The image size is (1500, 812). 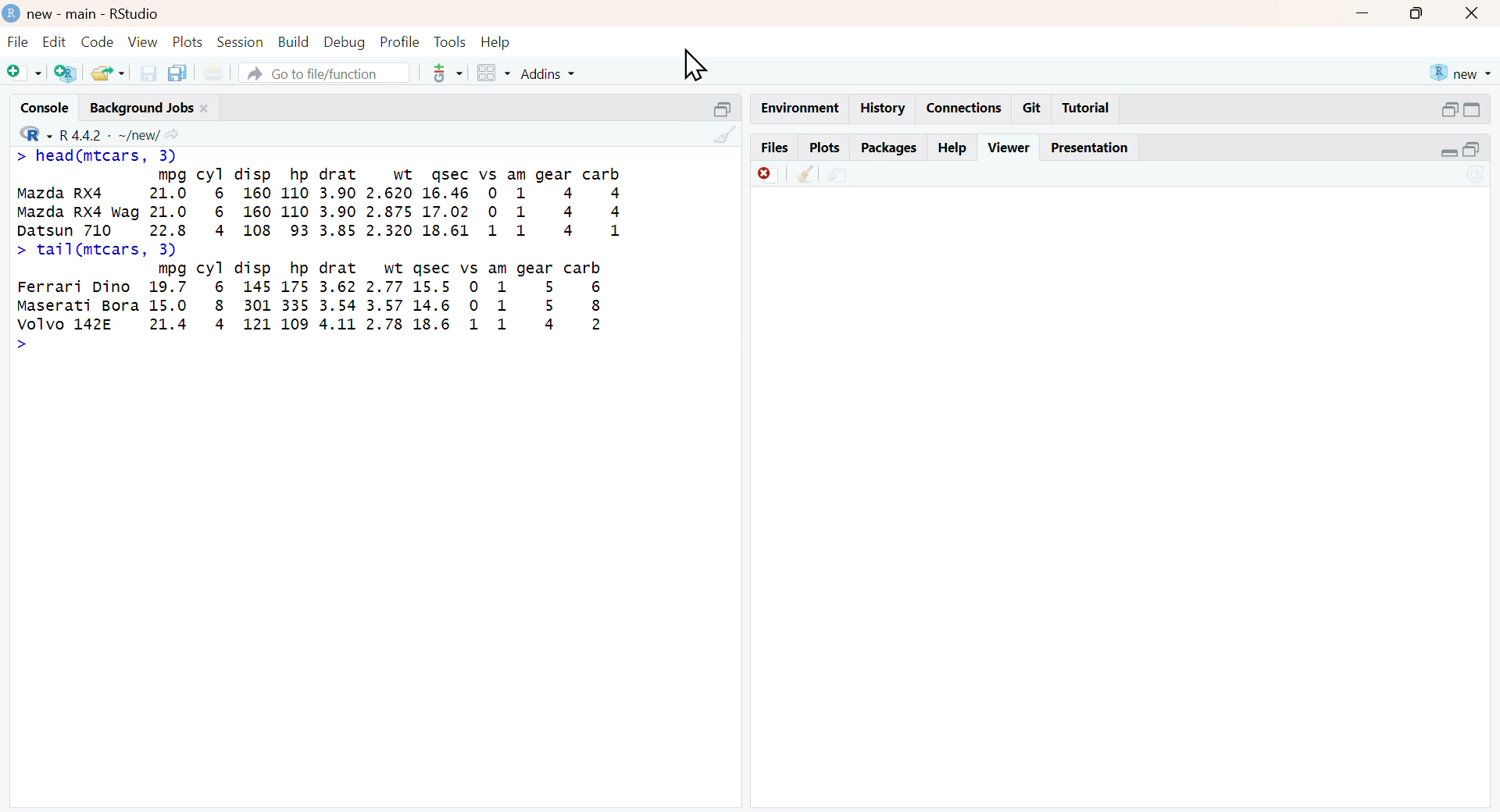 I want to click on Packages, so click(x=889, y=146).